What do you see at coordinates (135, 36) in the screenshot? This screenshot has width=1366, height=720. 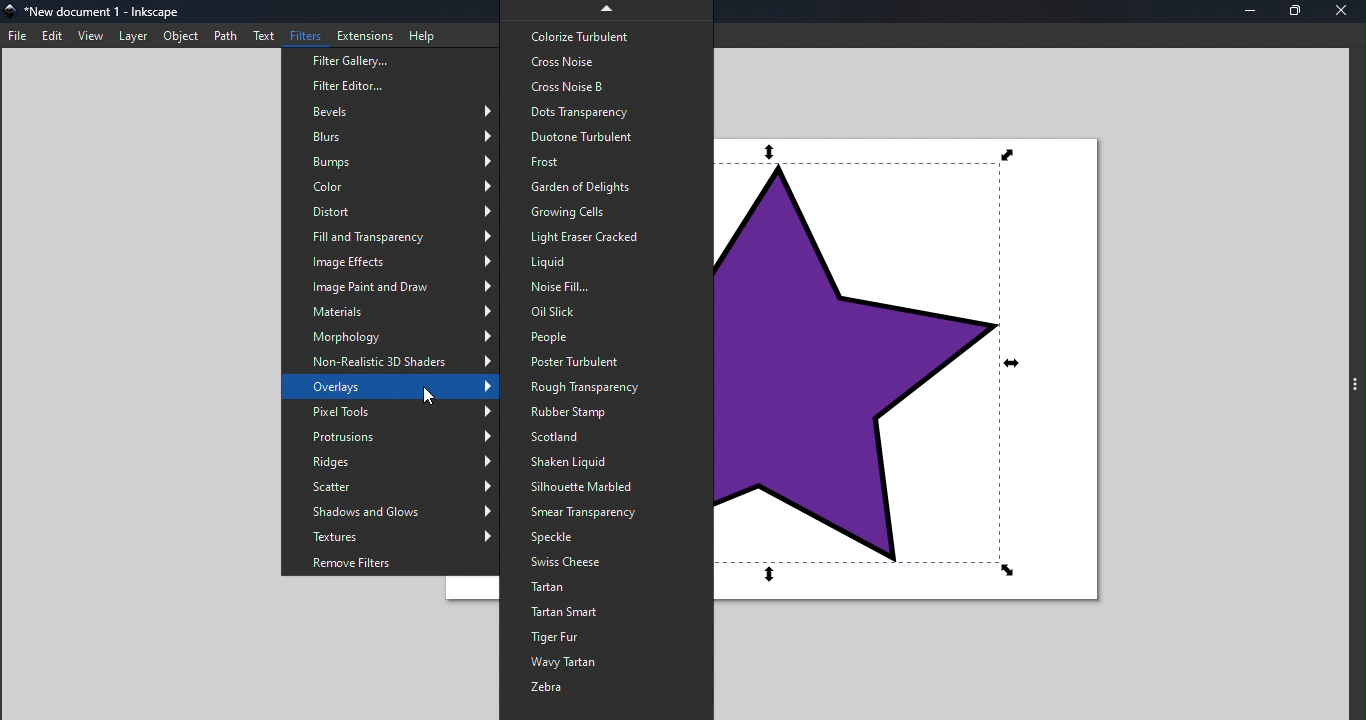 I see `Layer` at bounding box center [135, 36].